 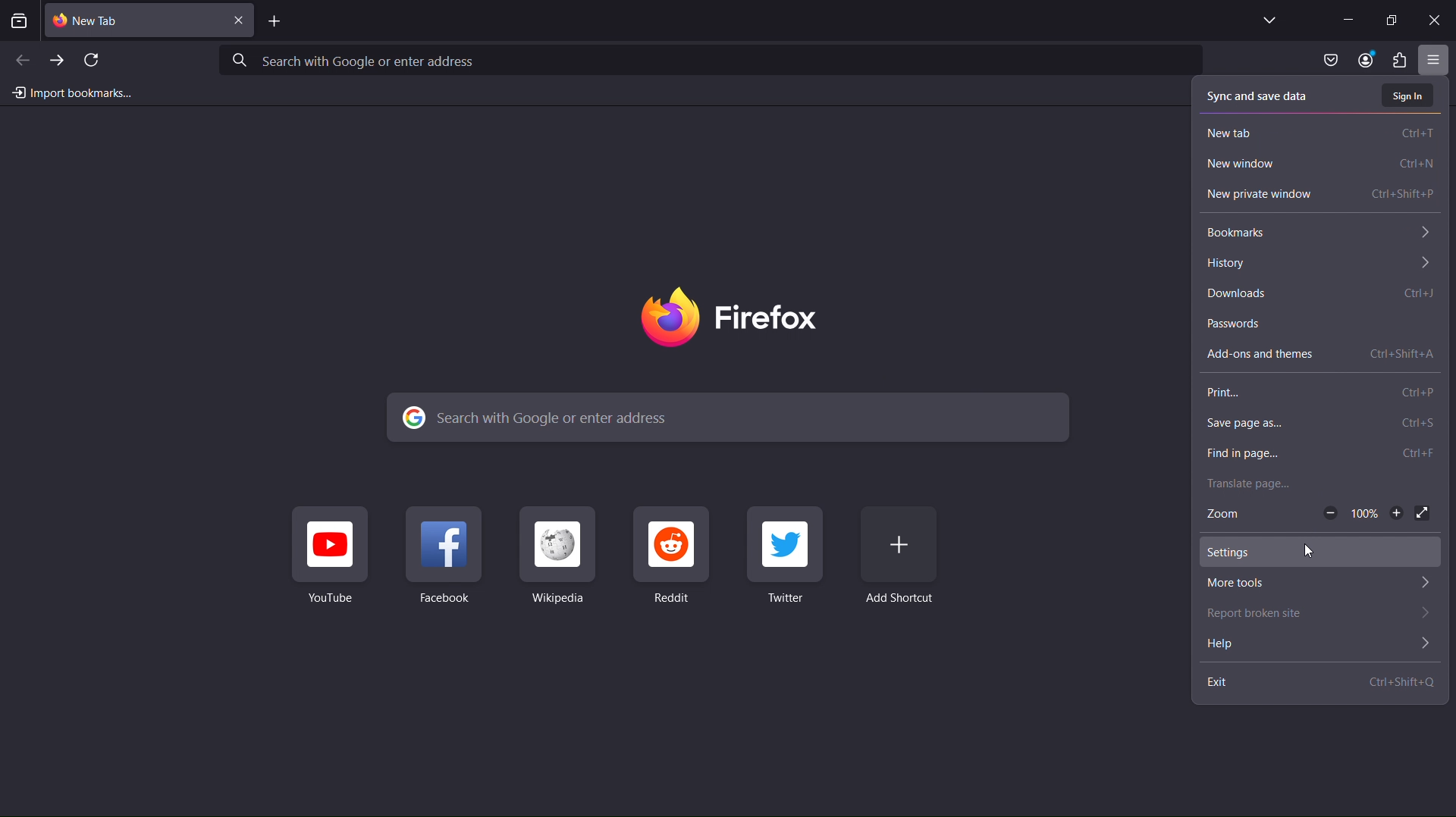 I want to click on Sync and save data, so click(x=1268, y=93).